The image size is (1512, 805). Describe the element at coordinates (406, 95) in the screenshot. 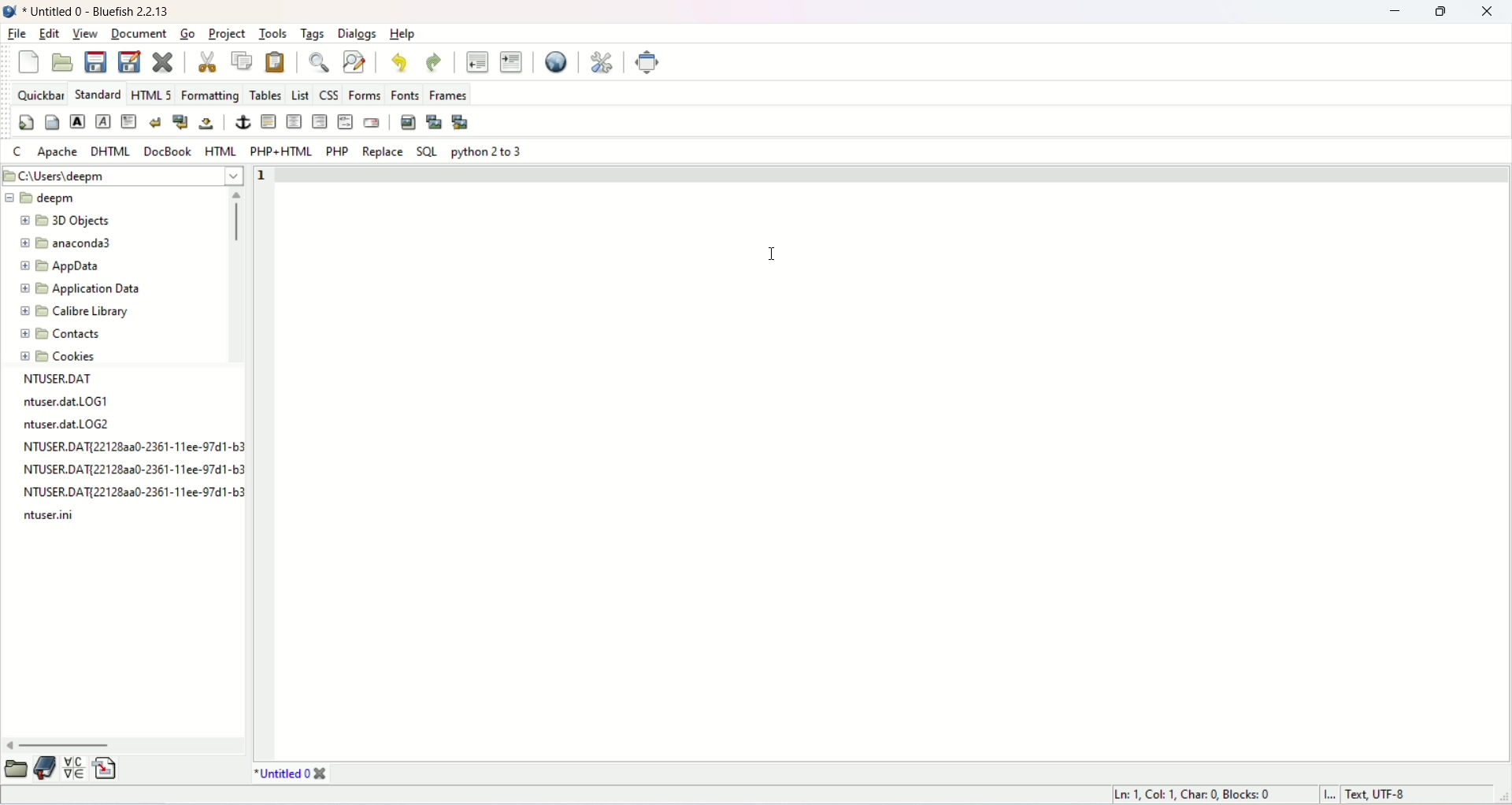

I see `fonts` at that location.